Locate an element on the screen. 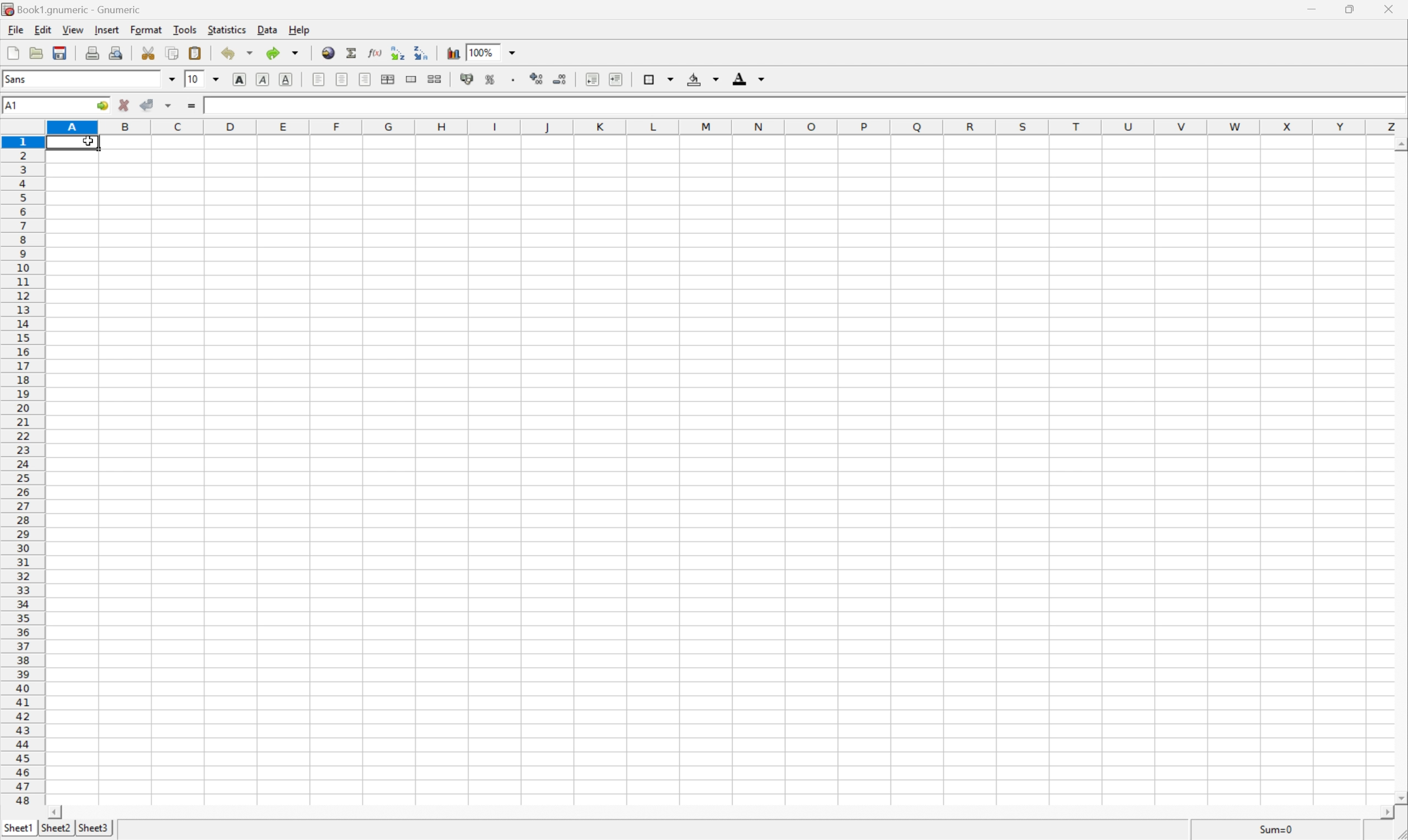 This screenshot has height=840, width=1408. accept changes across selection is located at coordinates (168, 106).